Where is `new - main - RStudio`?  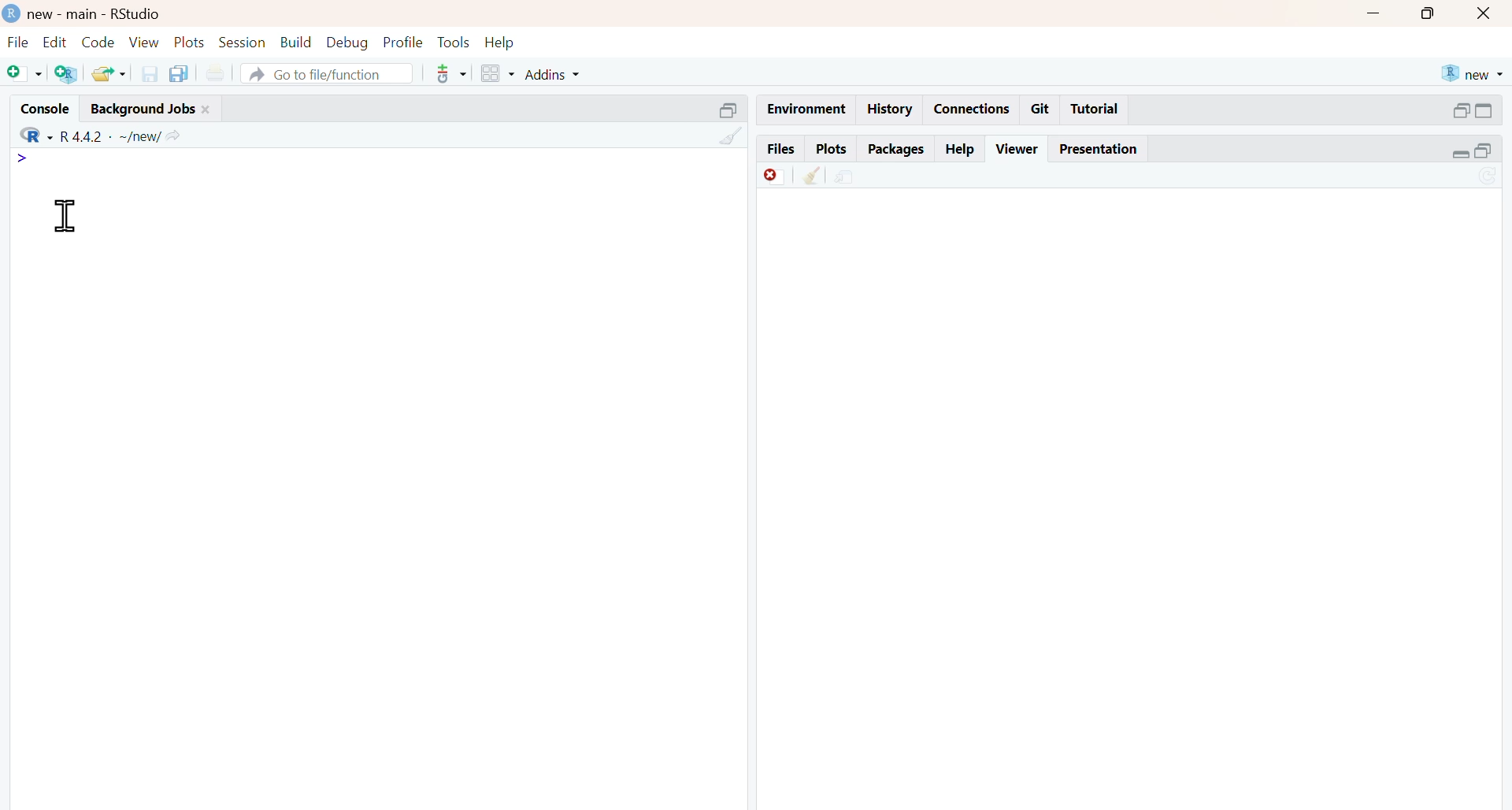 new - main - RStudio is located at coordinates (96, 14).